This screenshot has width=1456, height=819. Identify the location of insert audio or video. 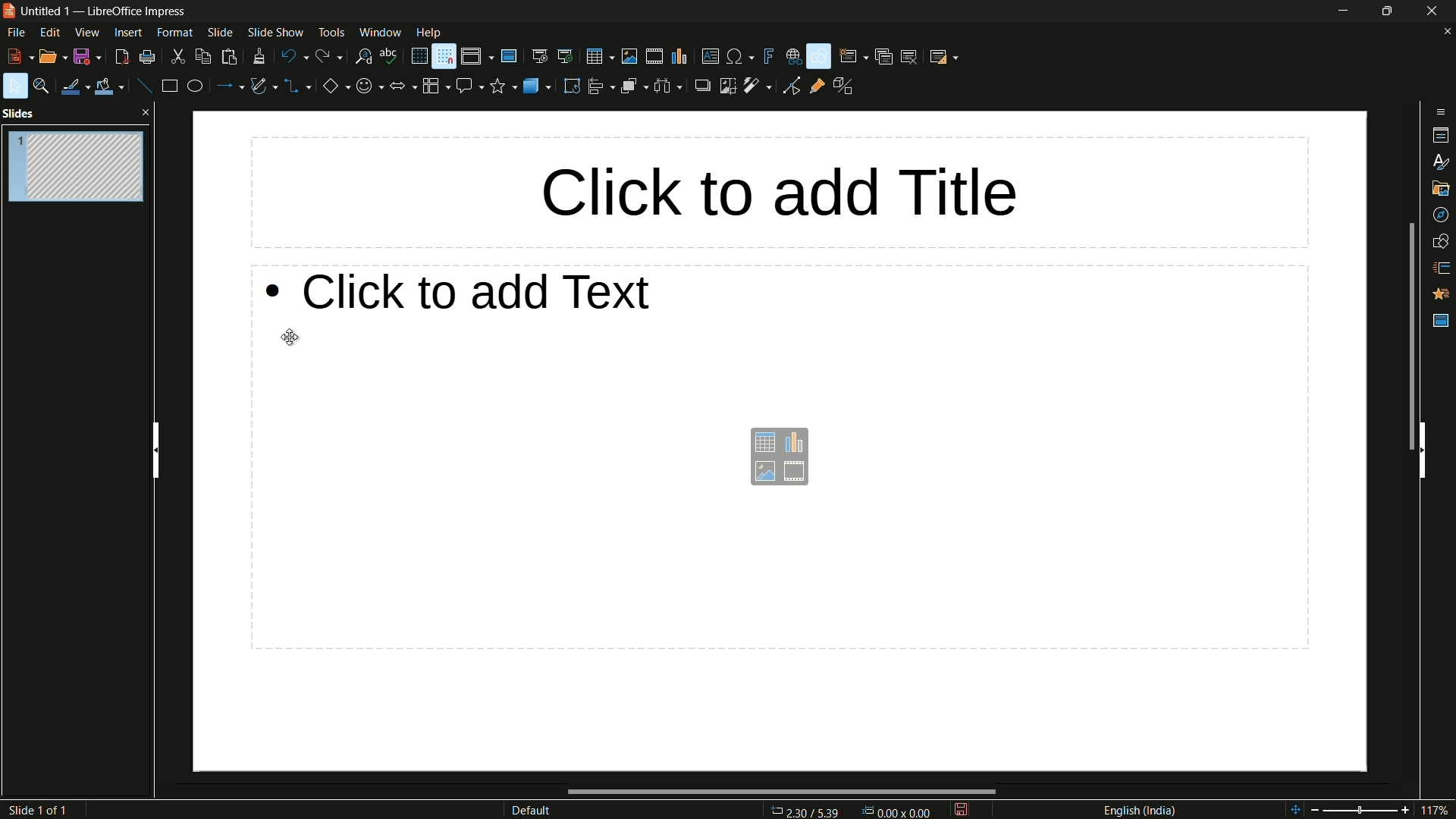
(654, 56).